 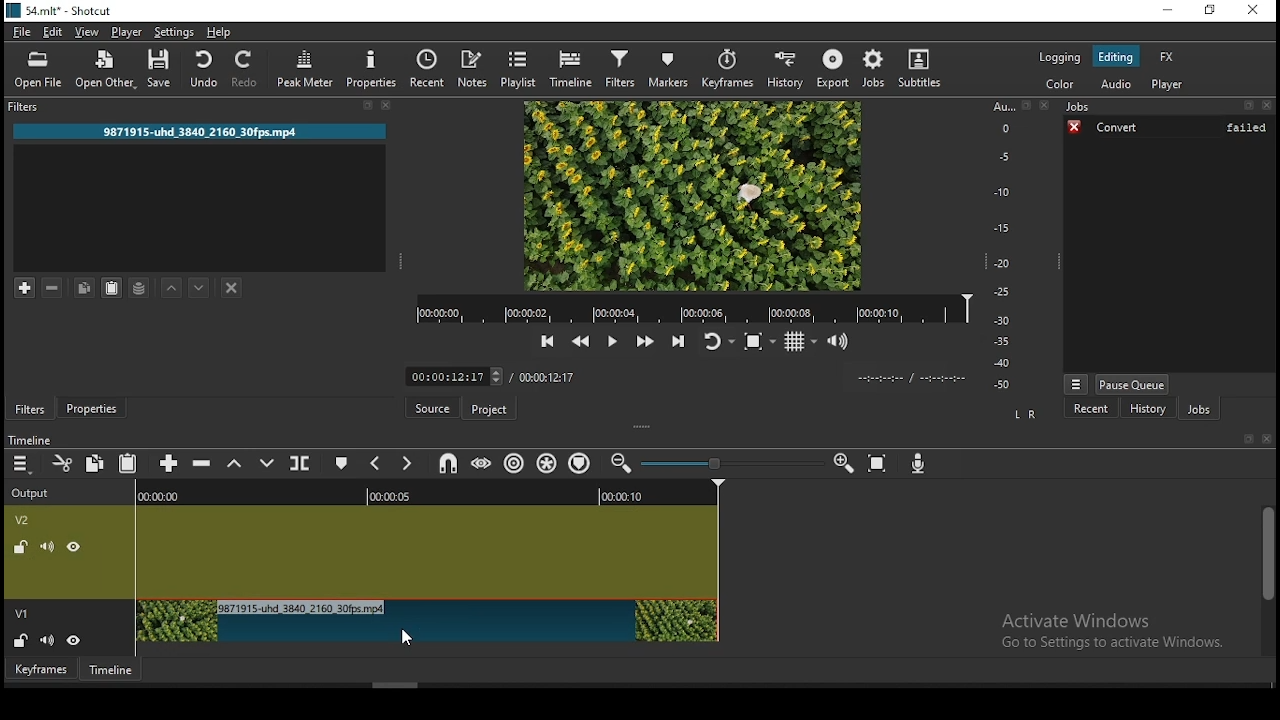 I want to click on snap, so click(x=450, y=463).